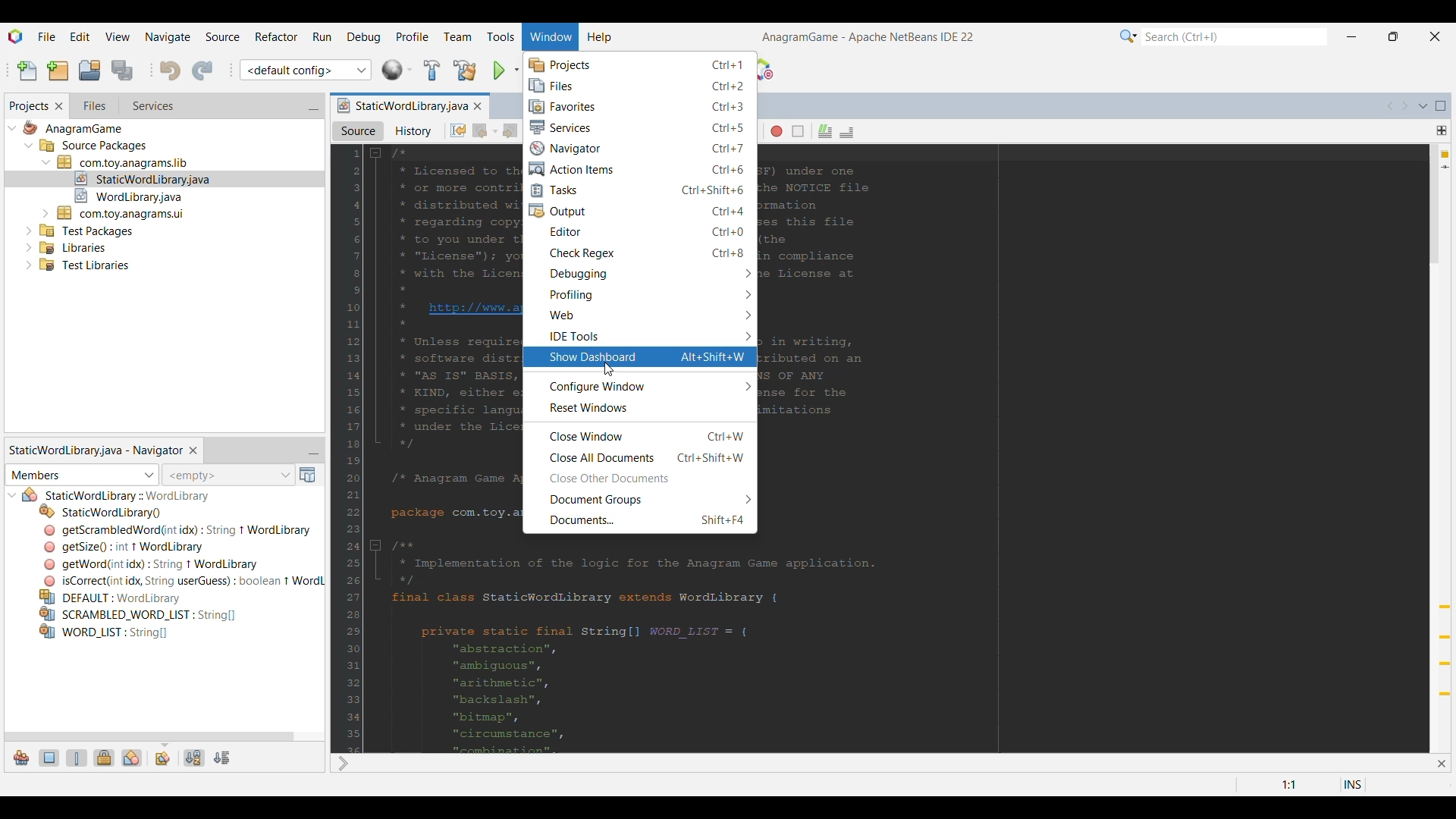 The image size is (1456, 819). What do you see at coordinates (639, 479) in the screenshot?
I see `Close other documents` at bounding box center [639, 479].